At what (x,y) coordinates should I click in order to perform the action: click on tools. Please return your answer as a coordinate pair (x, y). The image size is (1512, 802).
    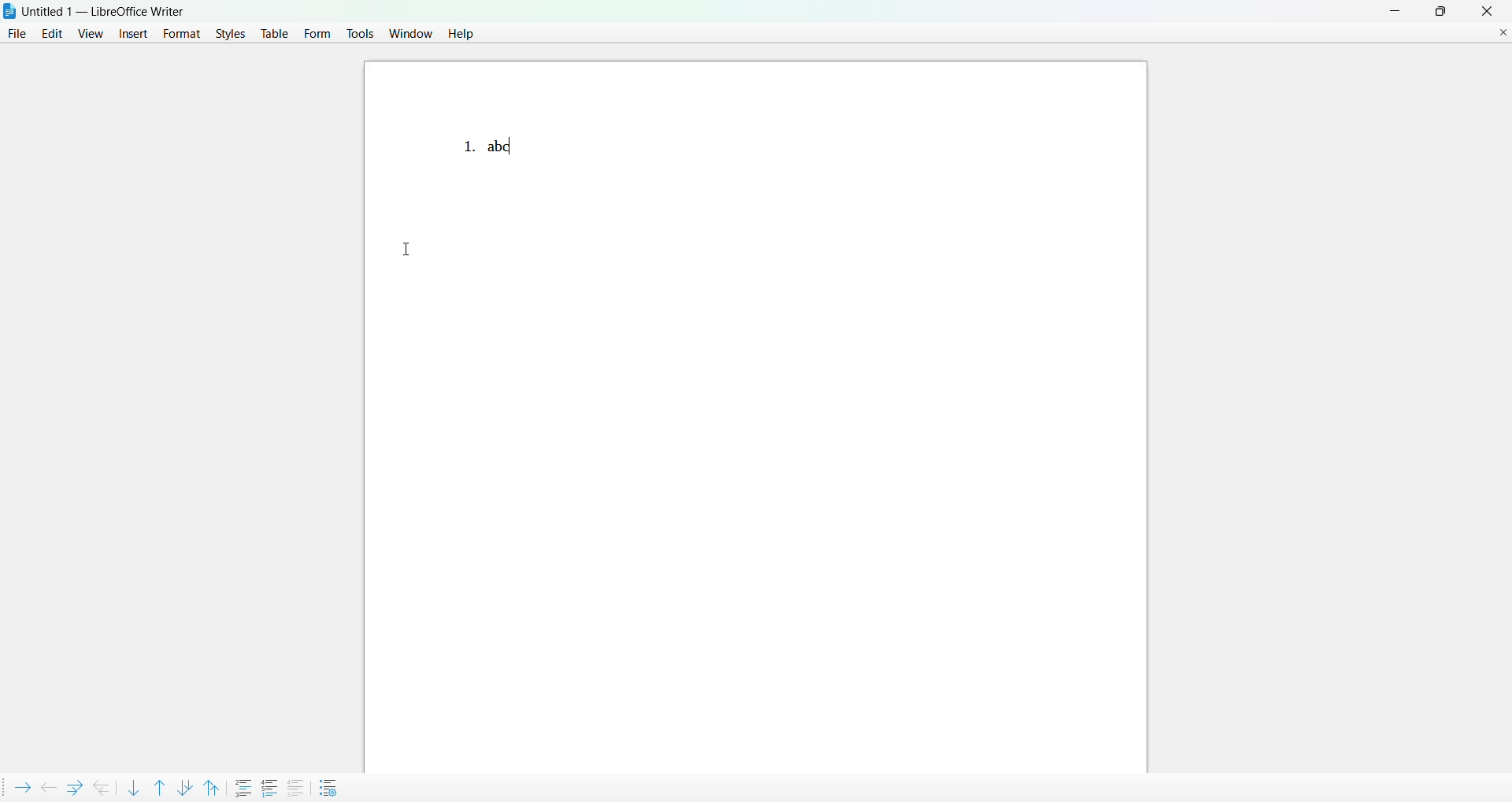
    Looking at the image, I should click on (360, 32).